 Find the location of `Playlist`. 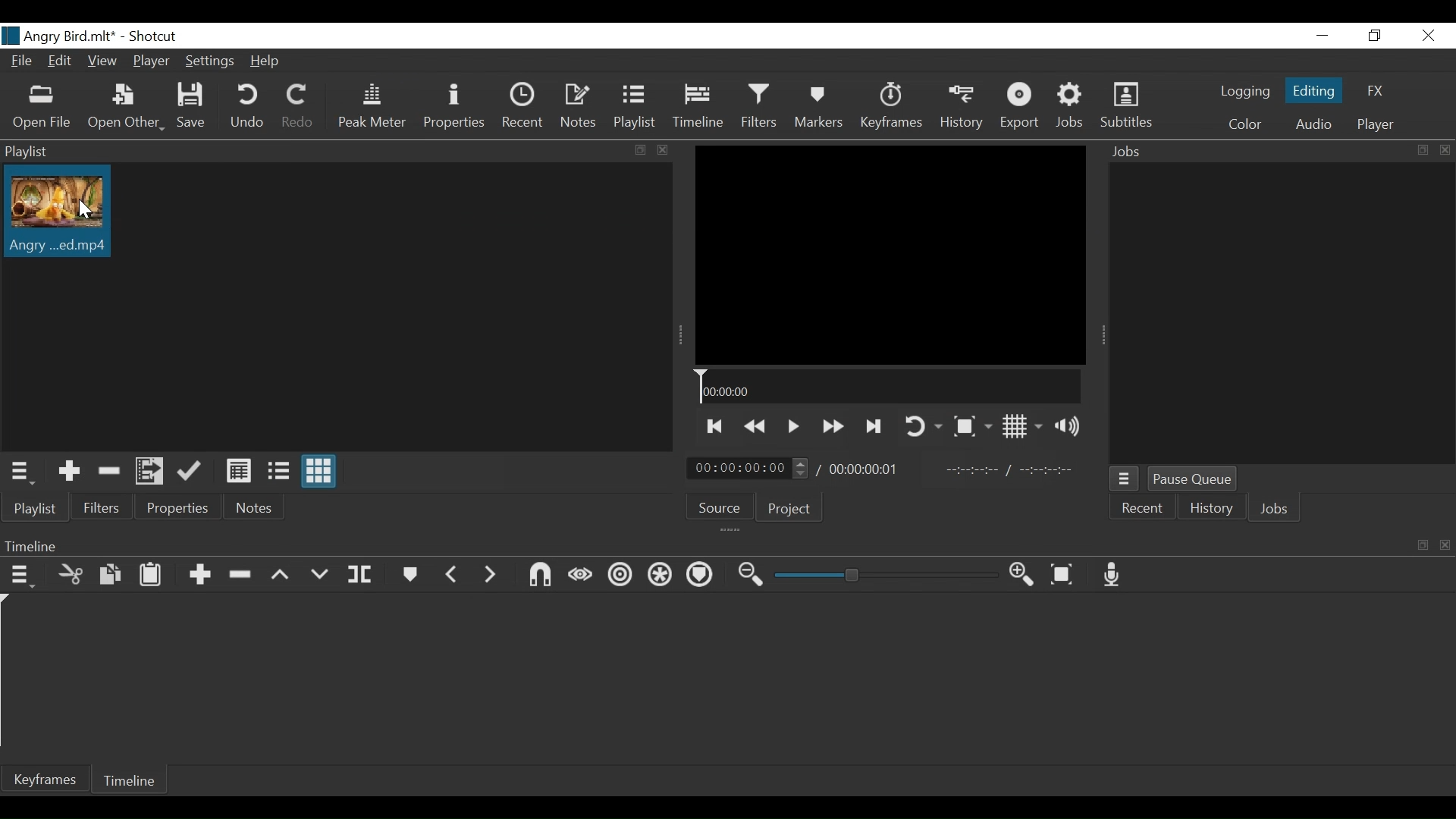

Playlist is located at coordinates (639, 108).